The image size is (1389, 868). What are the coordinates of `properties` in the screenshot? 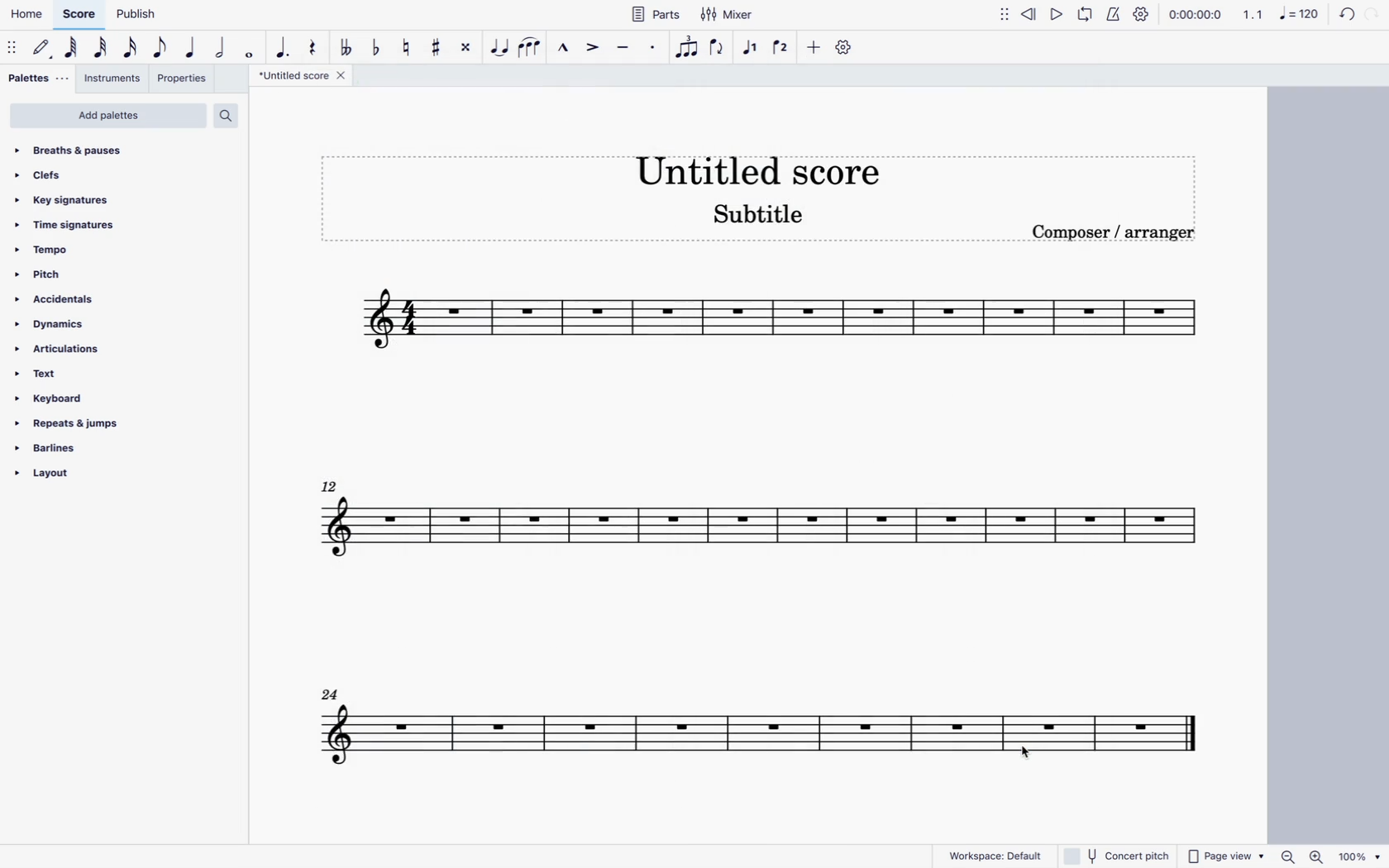 It's located at (179, 79).